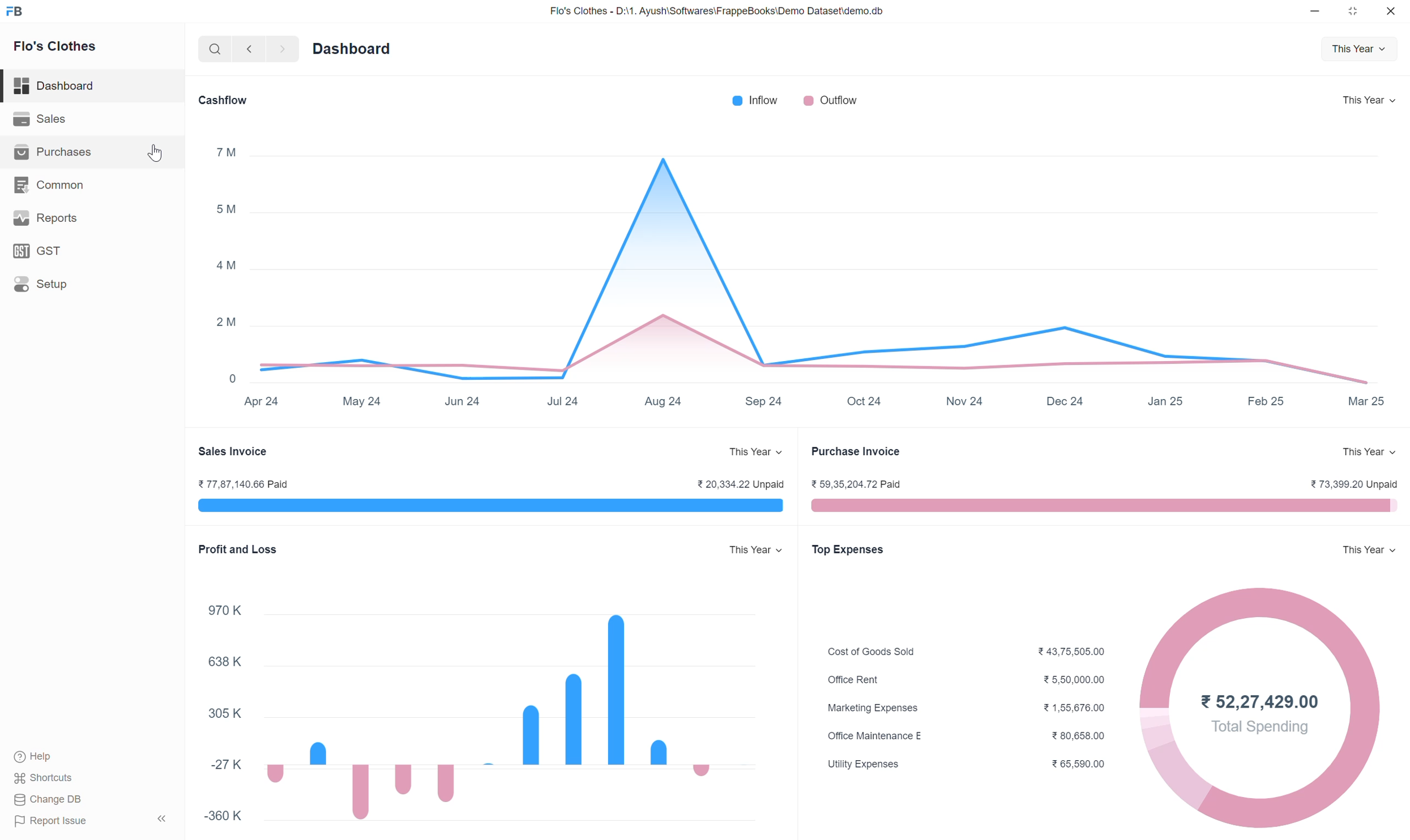 The width and height of the screenshot is (1410, 840). I want to click on close, so click(1391, 13).